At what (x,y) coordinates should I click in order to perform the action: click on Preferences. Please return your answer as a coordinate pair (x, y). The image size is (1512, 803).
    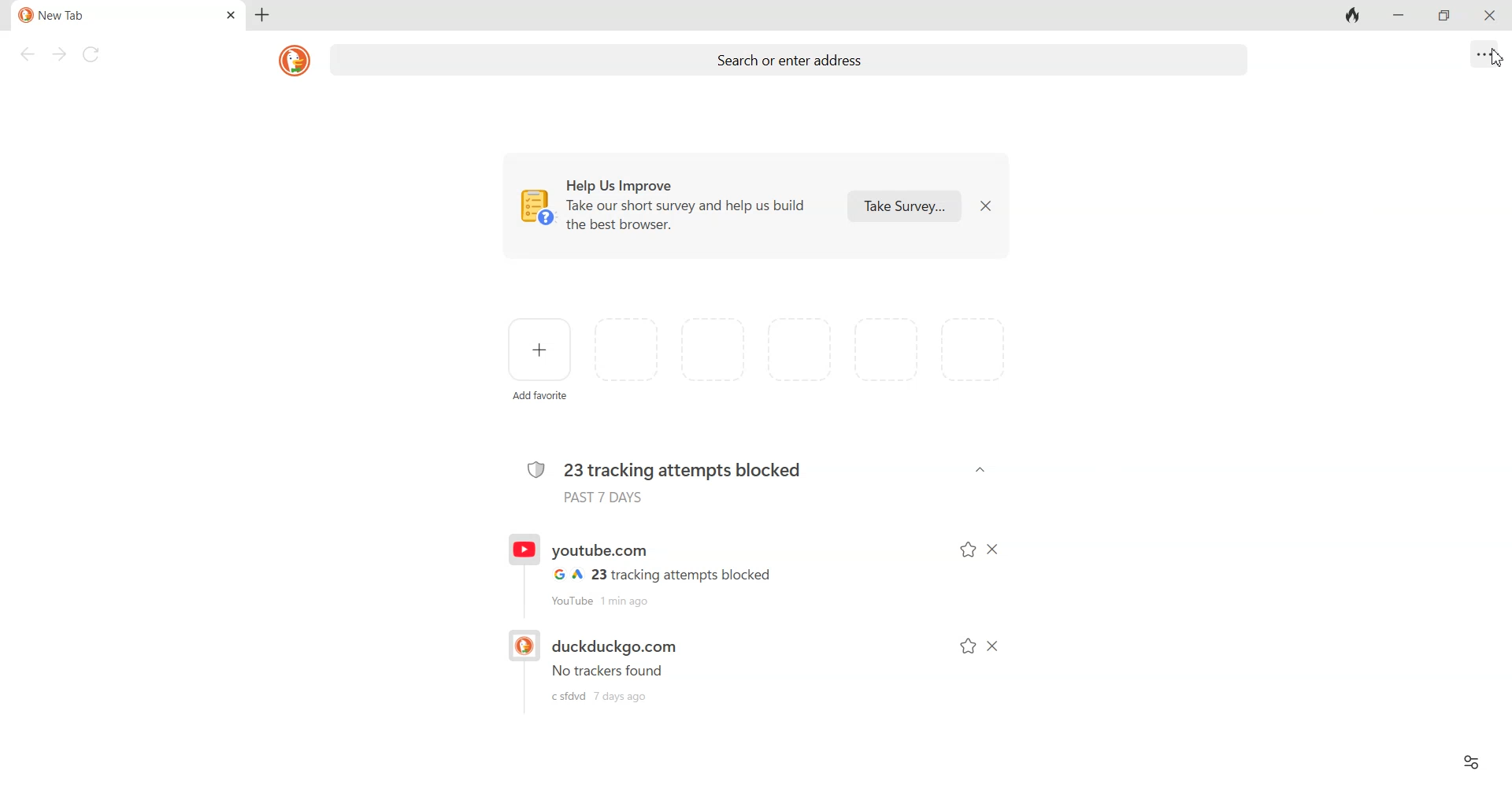
    Looking at the image, I should click on (1470, 761).